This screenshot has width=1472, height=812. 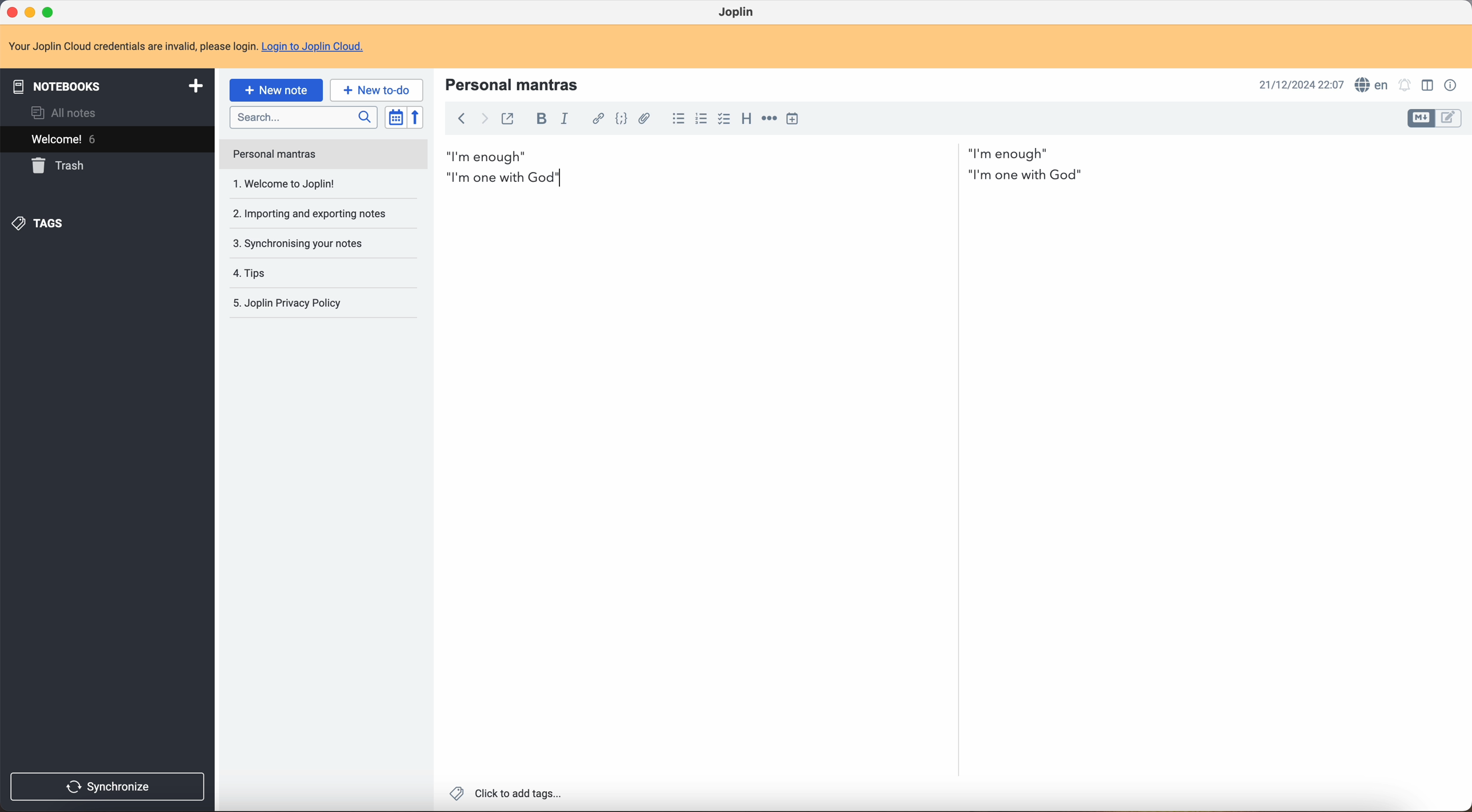 What do you see at coordinates (305, 118) in the screenshot?
I see `search bar` at bounding box center [305, 118].